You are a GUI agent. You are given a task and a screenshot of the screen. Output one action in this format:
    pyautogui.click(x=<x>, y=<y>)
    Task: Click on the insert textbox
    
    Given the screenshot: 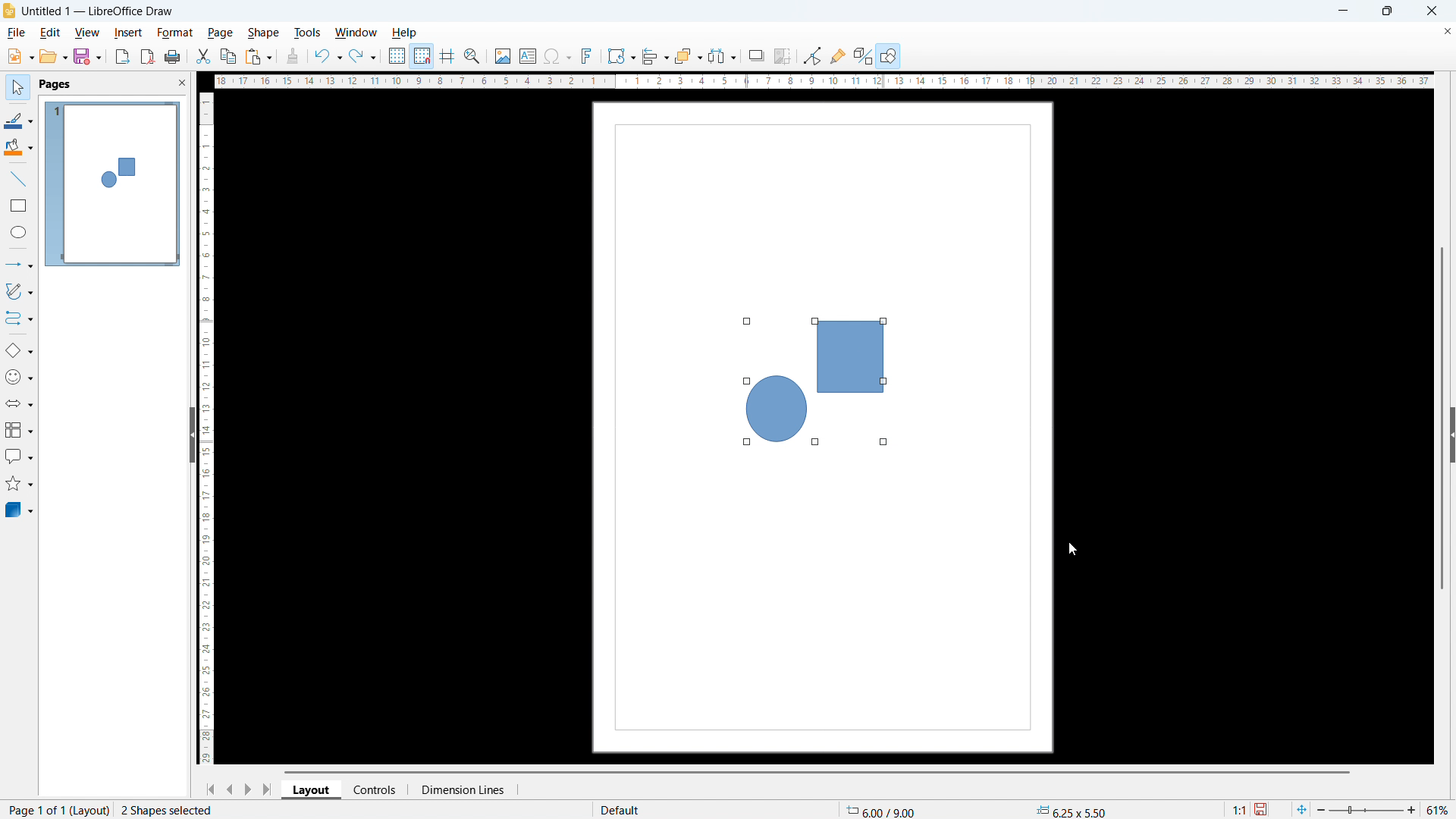 What is the action you would take?
    pyautogui.click(x=528, y=55)
    